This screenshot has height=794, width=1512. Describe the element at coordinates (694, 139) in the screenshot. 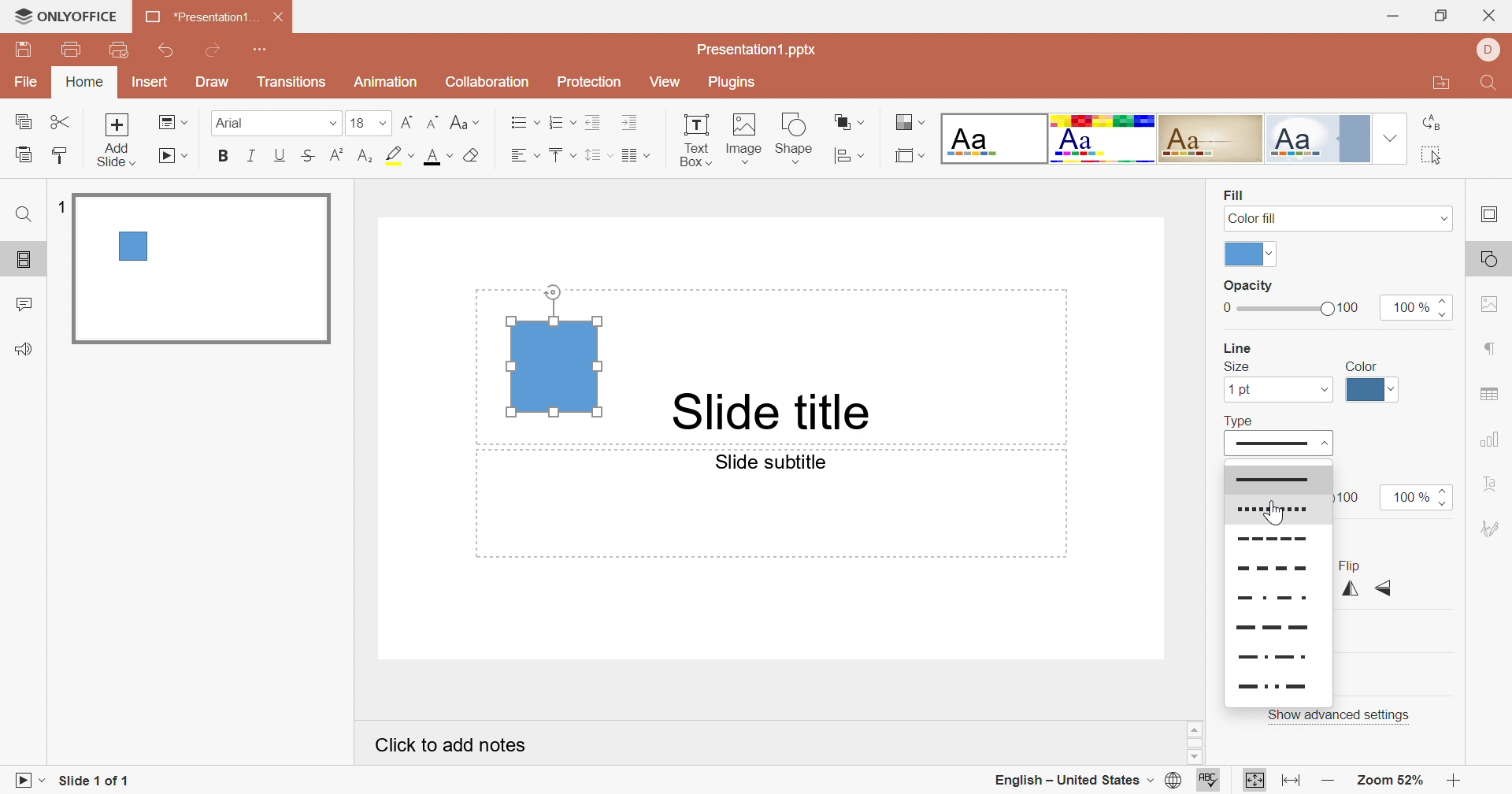

I see `Text Box` at that location.